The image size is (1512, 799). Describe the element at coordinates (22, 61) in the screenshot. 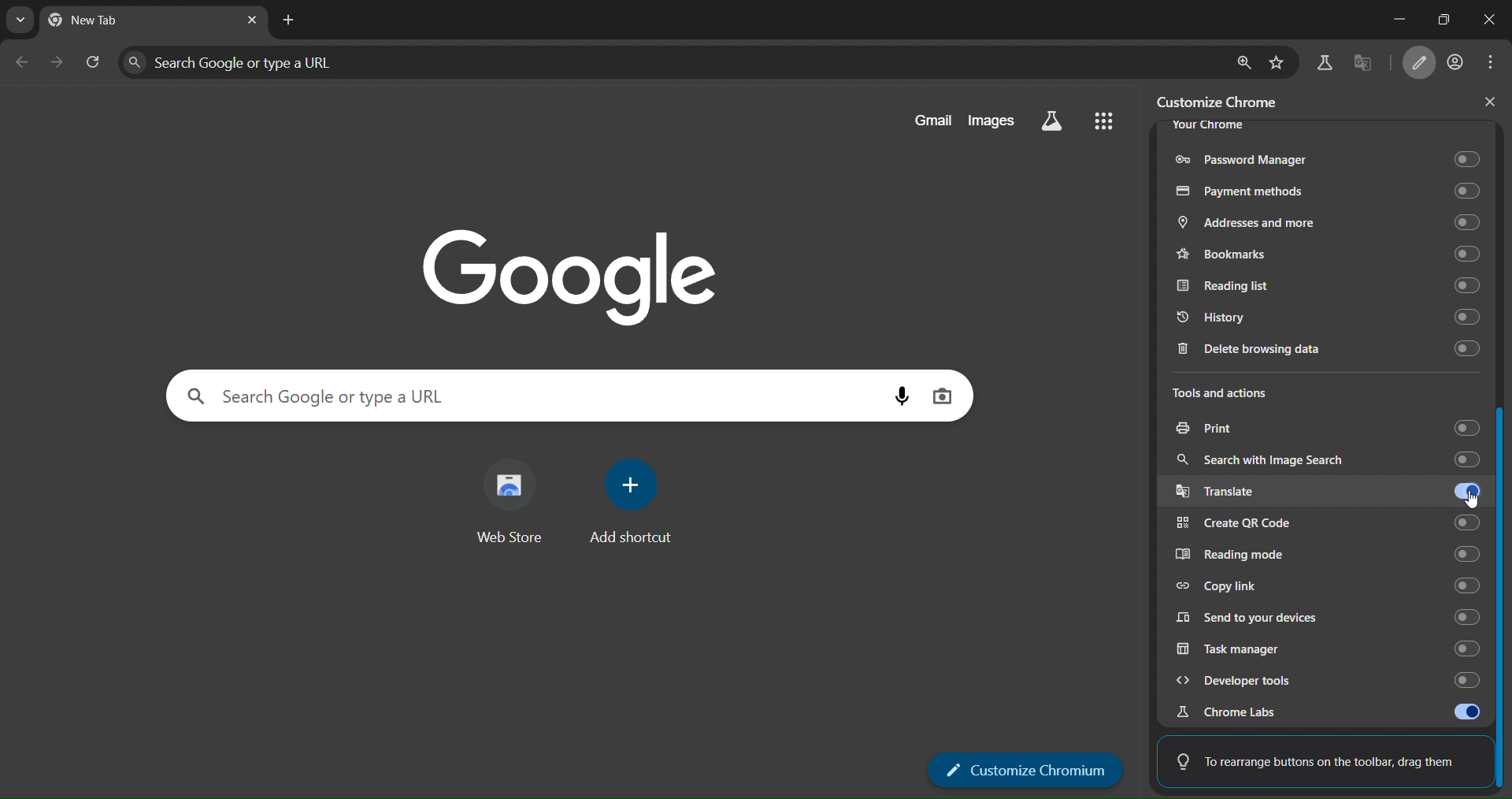

I see `go back one page` at that location.